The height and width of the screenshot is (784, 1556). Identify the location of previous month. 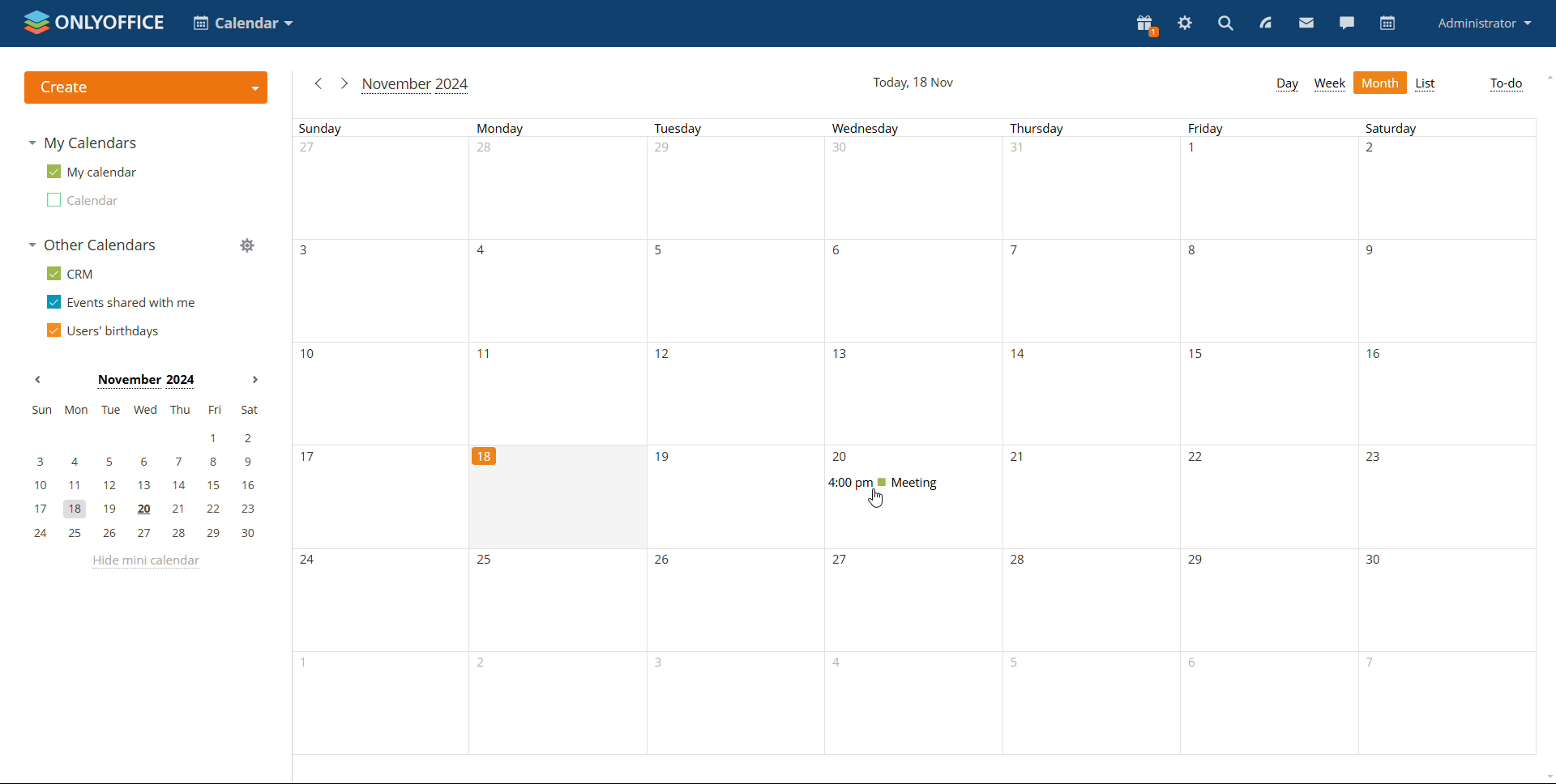
(37, 380).